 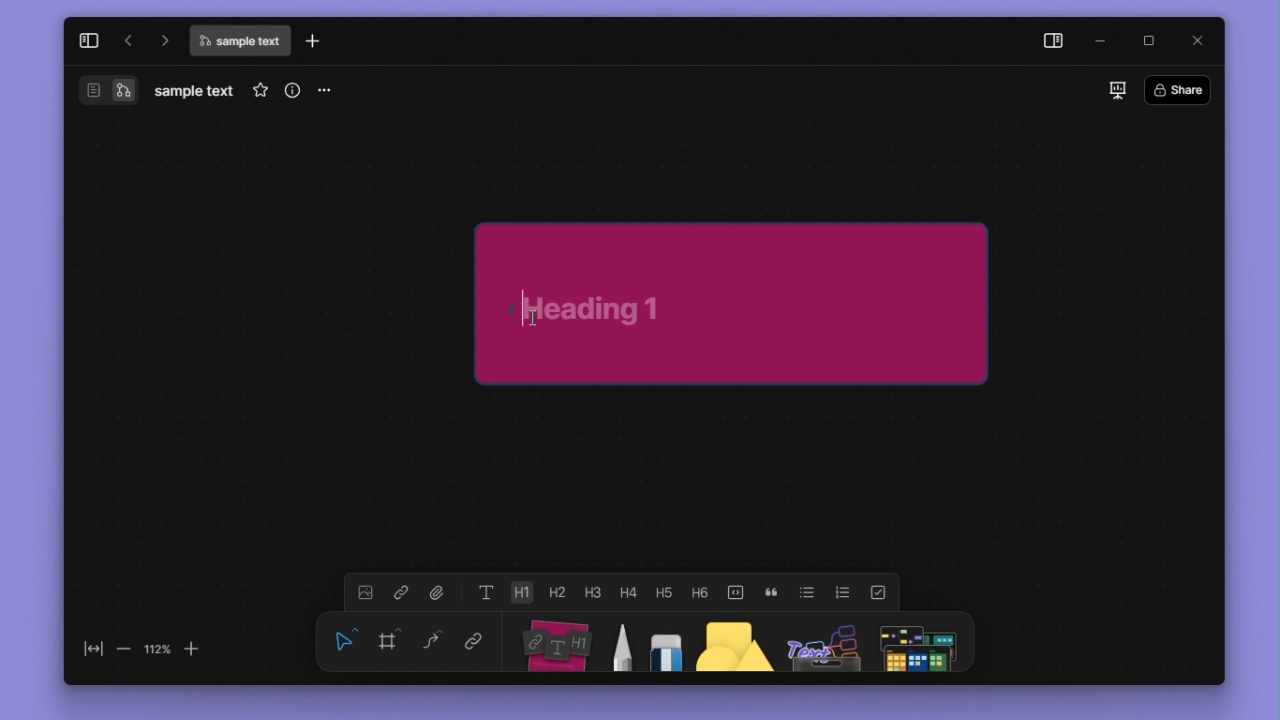 I want to click on file name, so click(x=239, y=41).